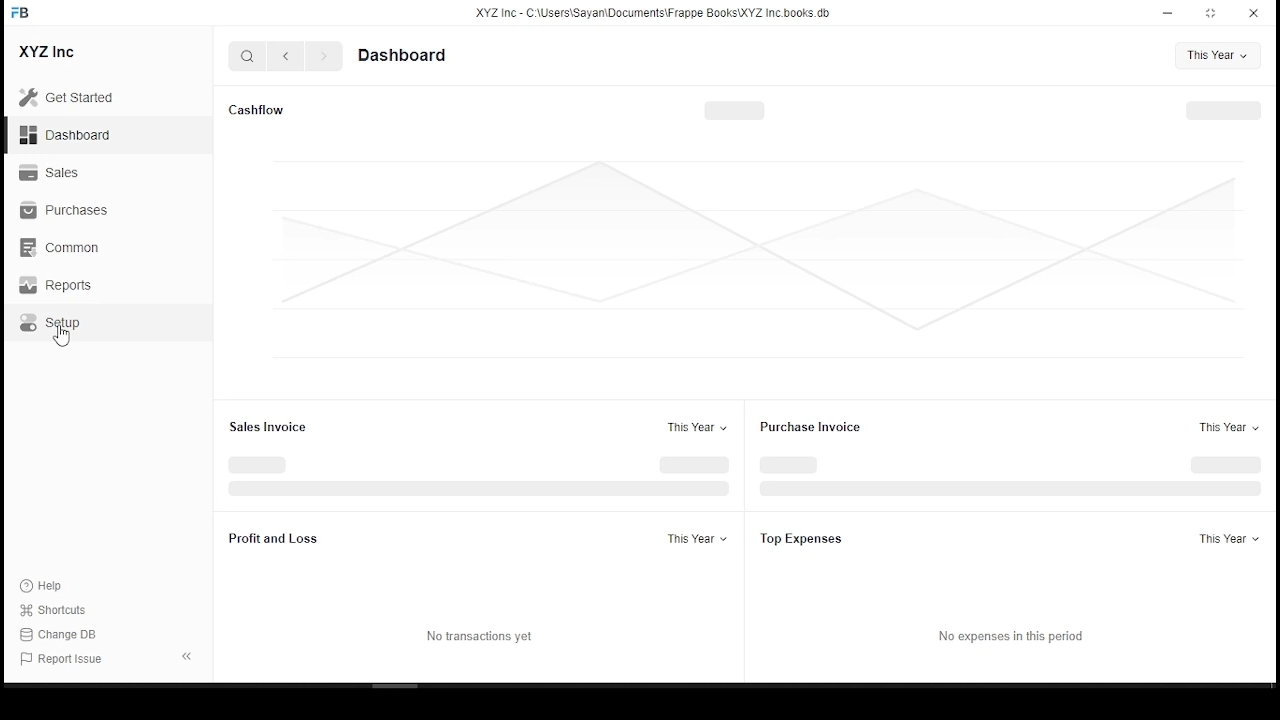  I want to click on top expenses, so click(816, 538).